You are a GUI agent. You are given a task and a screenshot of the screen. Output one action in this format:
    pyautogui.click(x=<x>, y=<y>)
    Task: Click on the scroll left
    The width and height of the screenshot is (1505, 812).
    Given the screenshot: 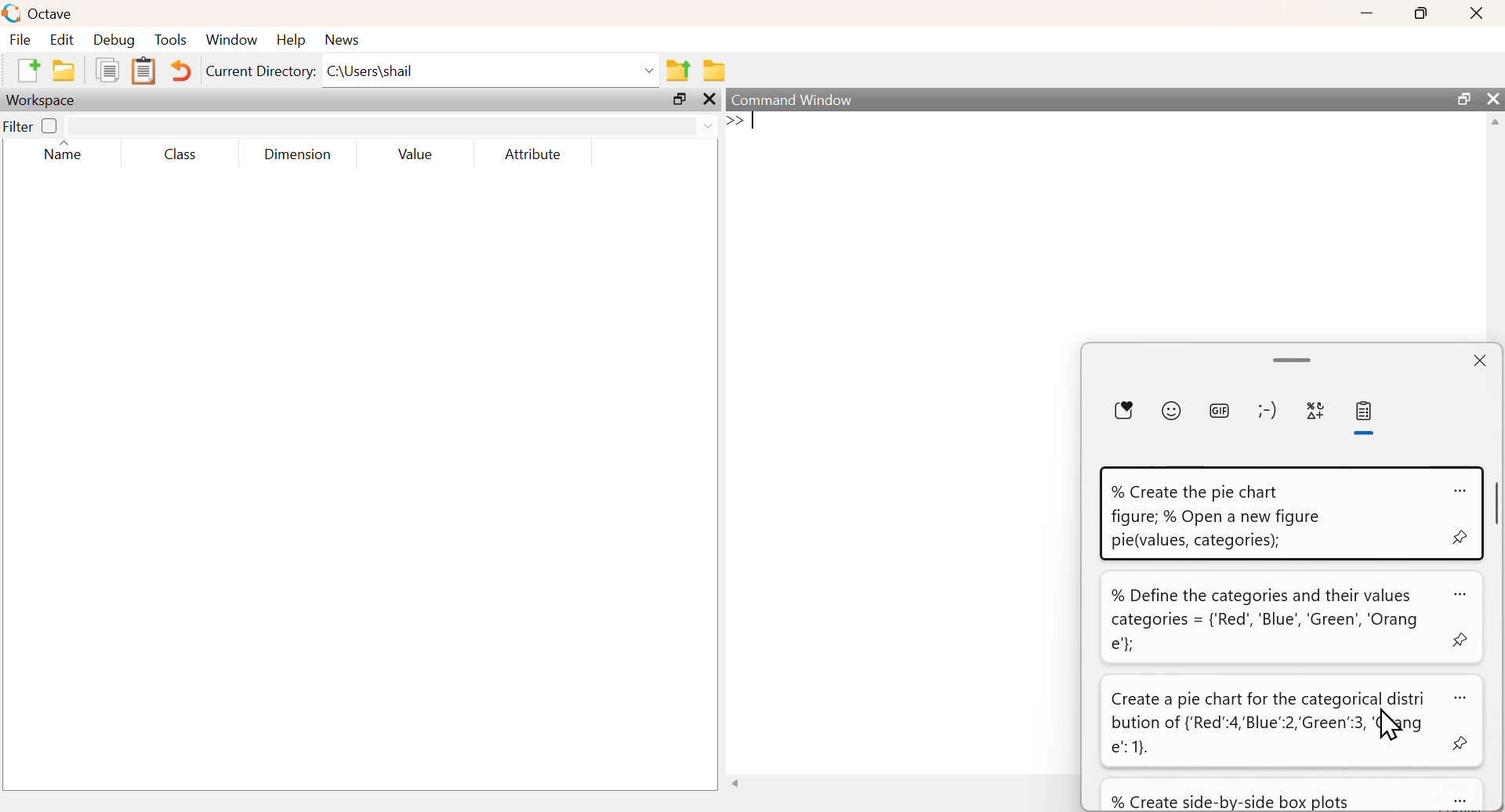 What is the action you would take?
    pyautogui.click(x=738, y=782)
    